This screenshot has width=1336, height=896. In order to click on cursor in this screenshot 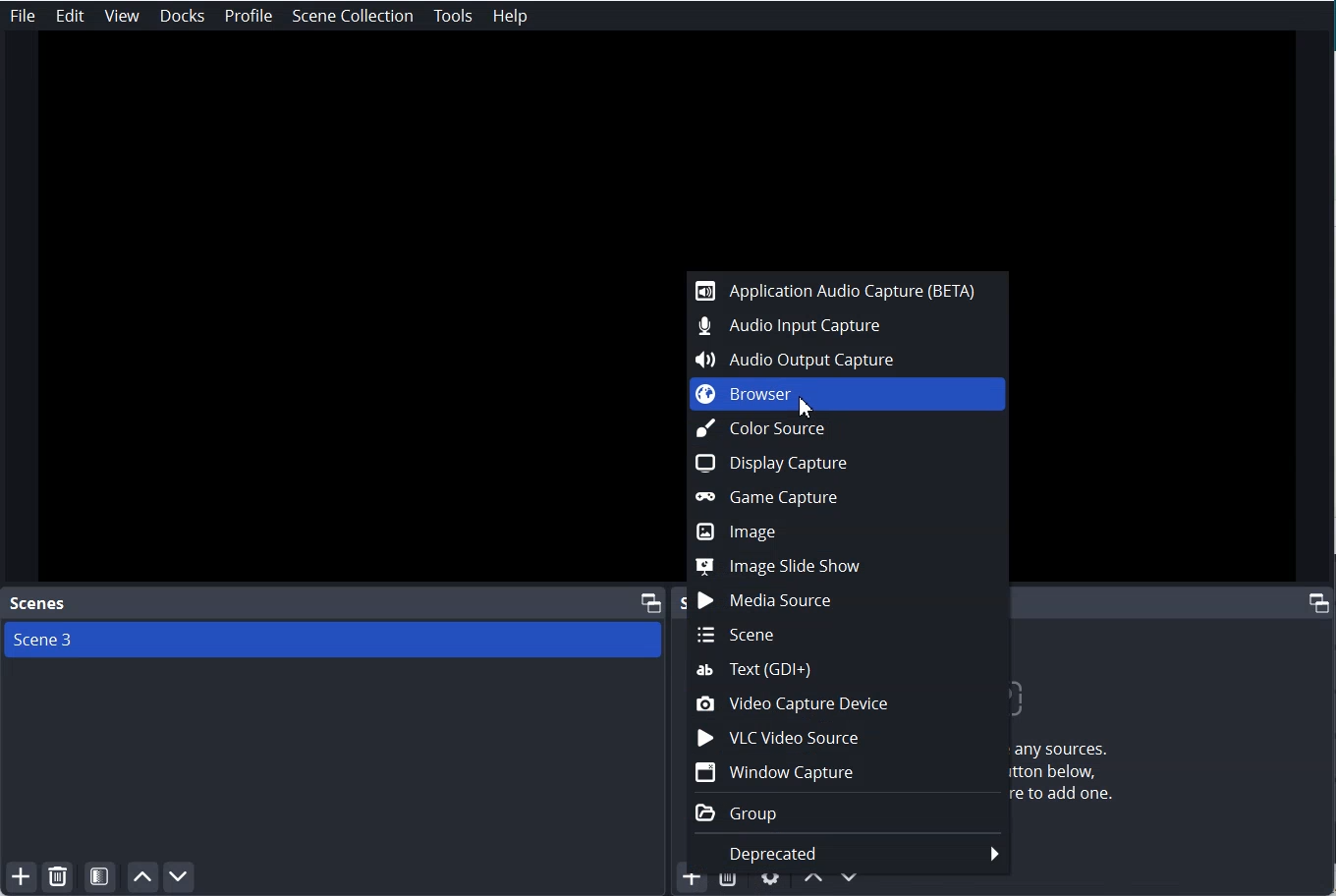, I will do `click(809, 408)`.